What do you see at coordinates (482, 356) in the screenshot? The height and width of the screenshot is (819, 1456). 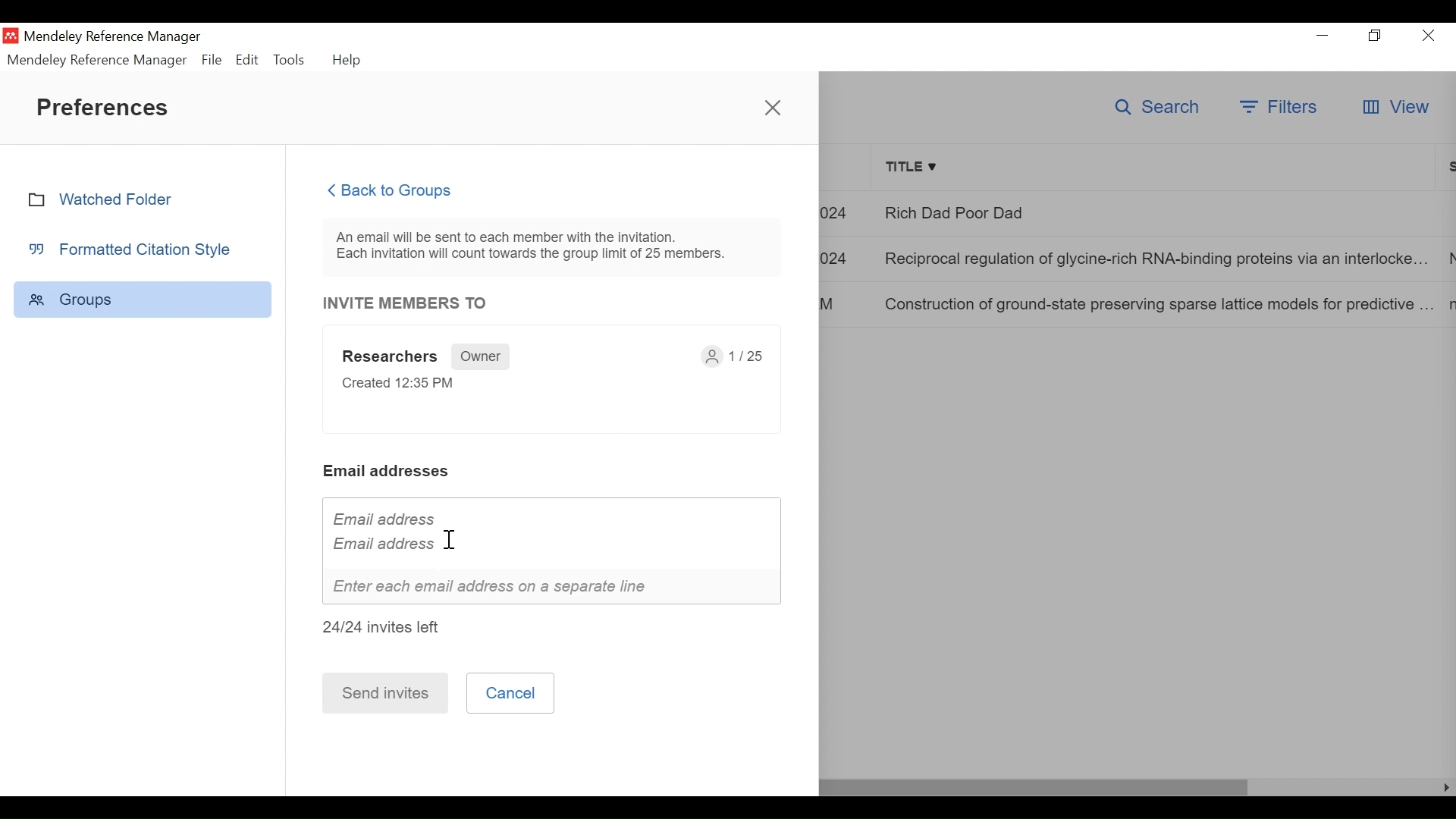 I see `Owner` at bounding box center [482, 356].